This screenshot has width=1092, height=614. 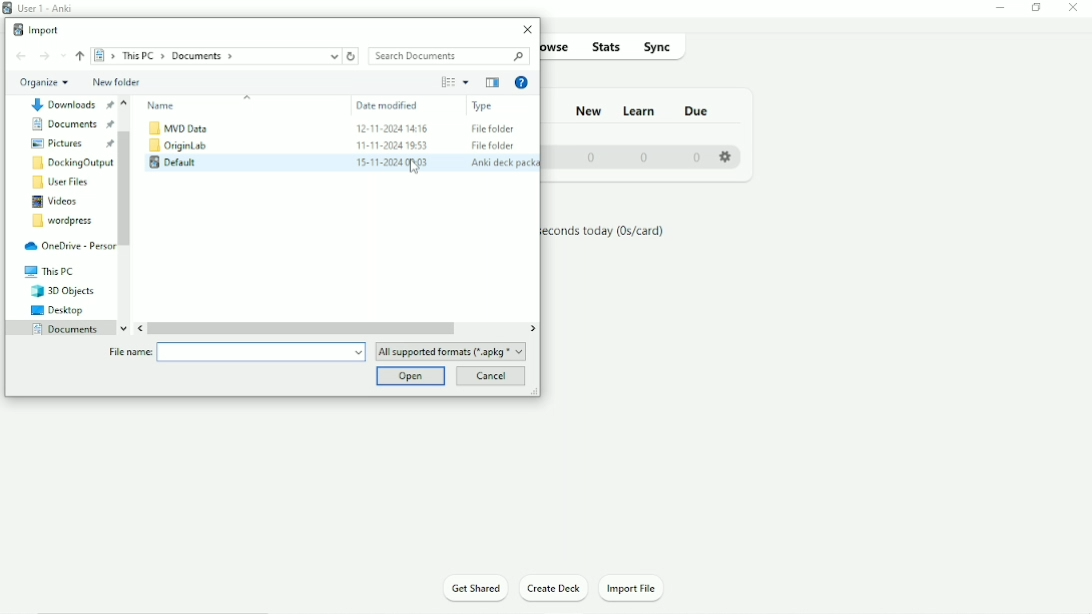 What do you see at coordinates (589, 110) in the screenshot?
I see `New` at bounding box center [589, 110].